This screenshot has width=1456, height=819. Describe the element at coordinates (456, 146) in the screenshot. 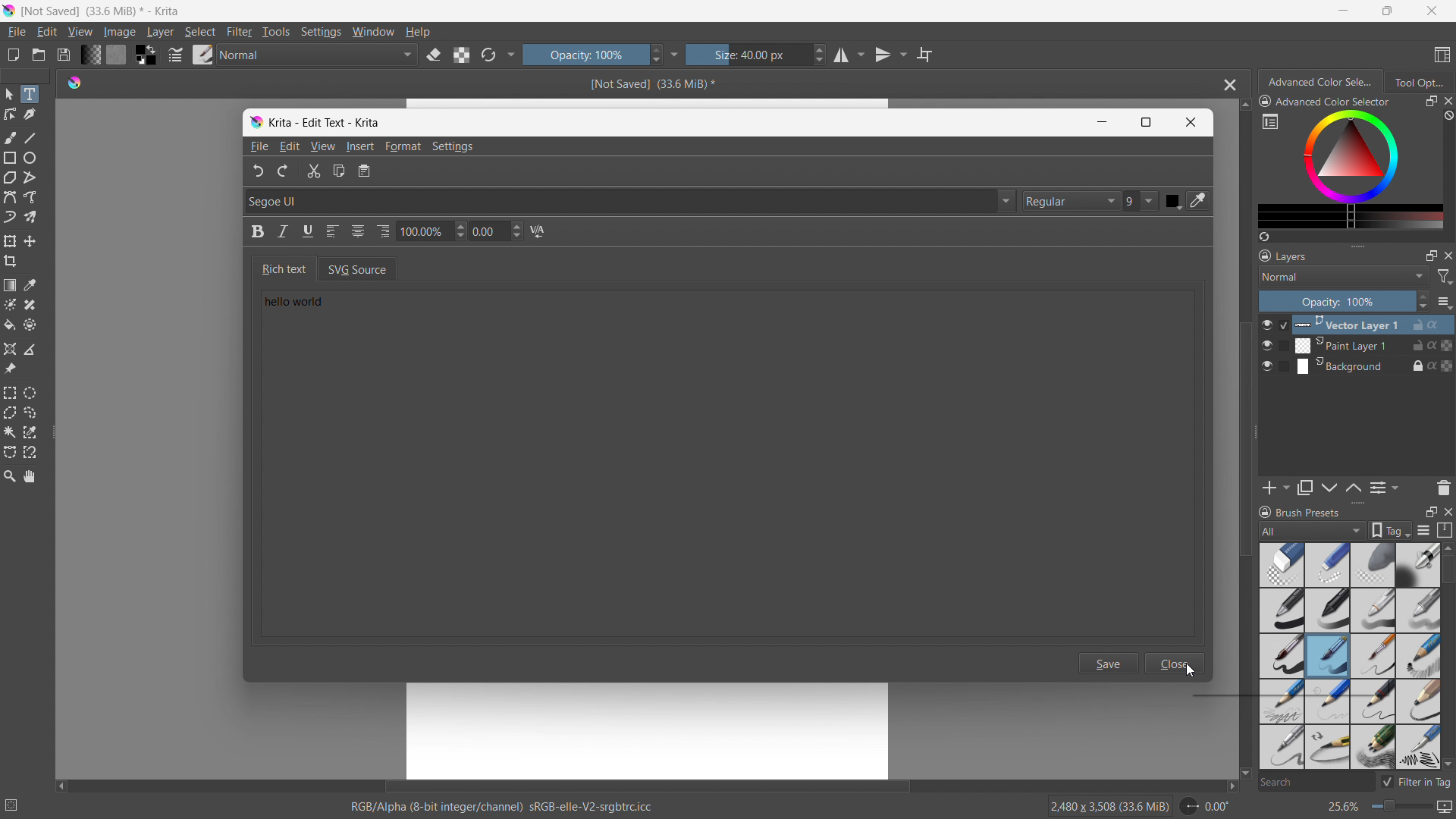

I see `Settings` at that location.